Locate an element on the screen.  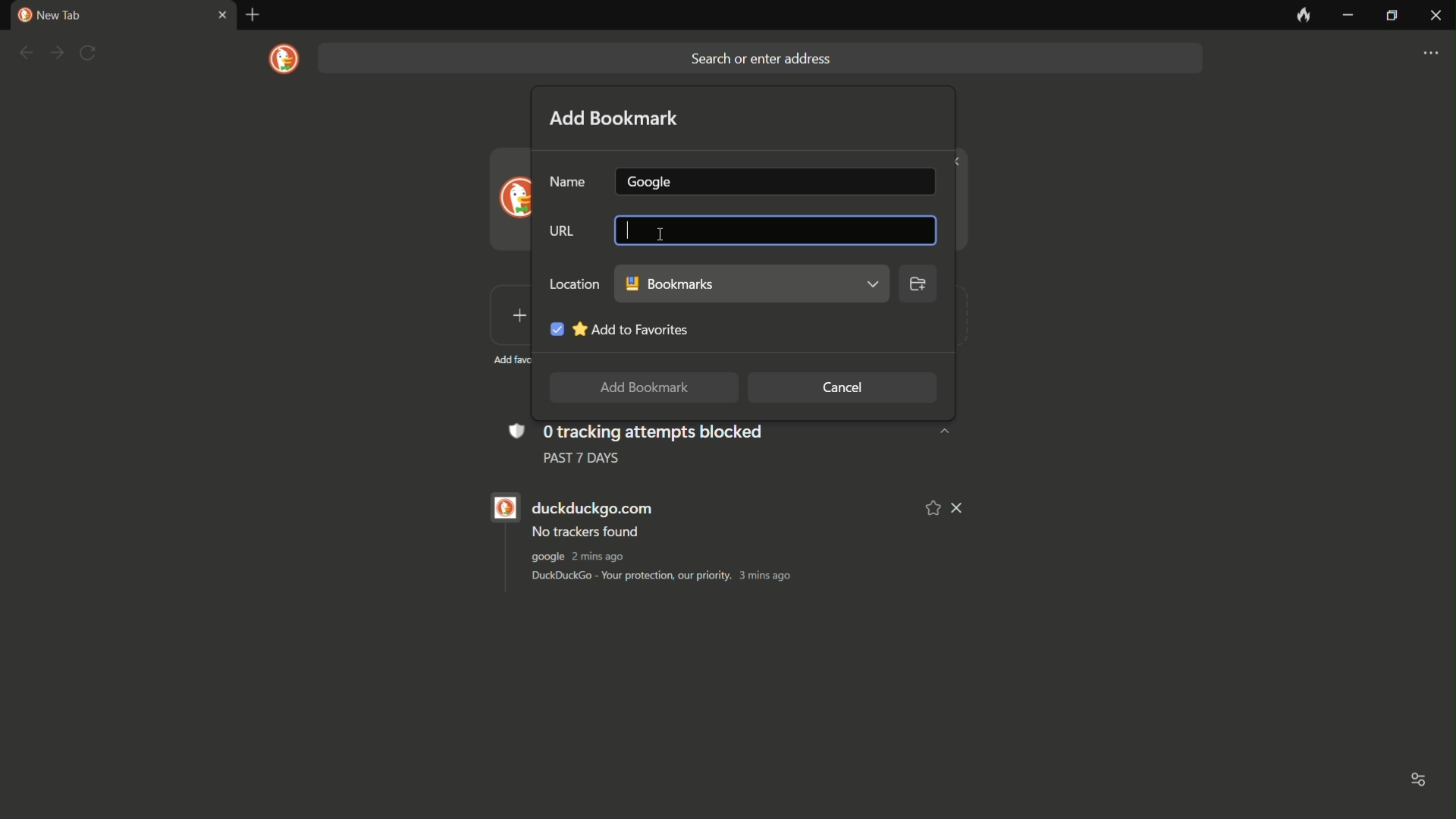
browse location is located at coordinates (918, 287).